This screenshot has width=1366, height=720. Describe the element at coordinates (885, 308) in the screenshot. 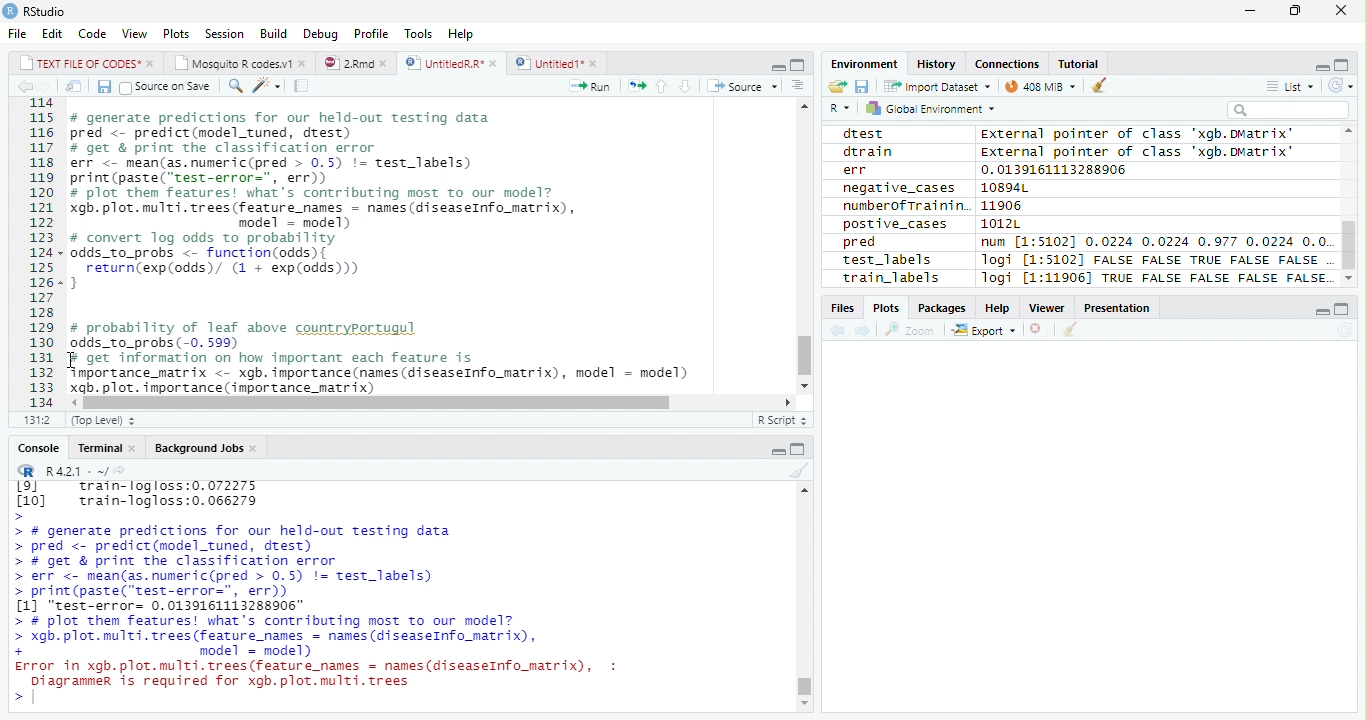

I see `Plots` at that location.